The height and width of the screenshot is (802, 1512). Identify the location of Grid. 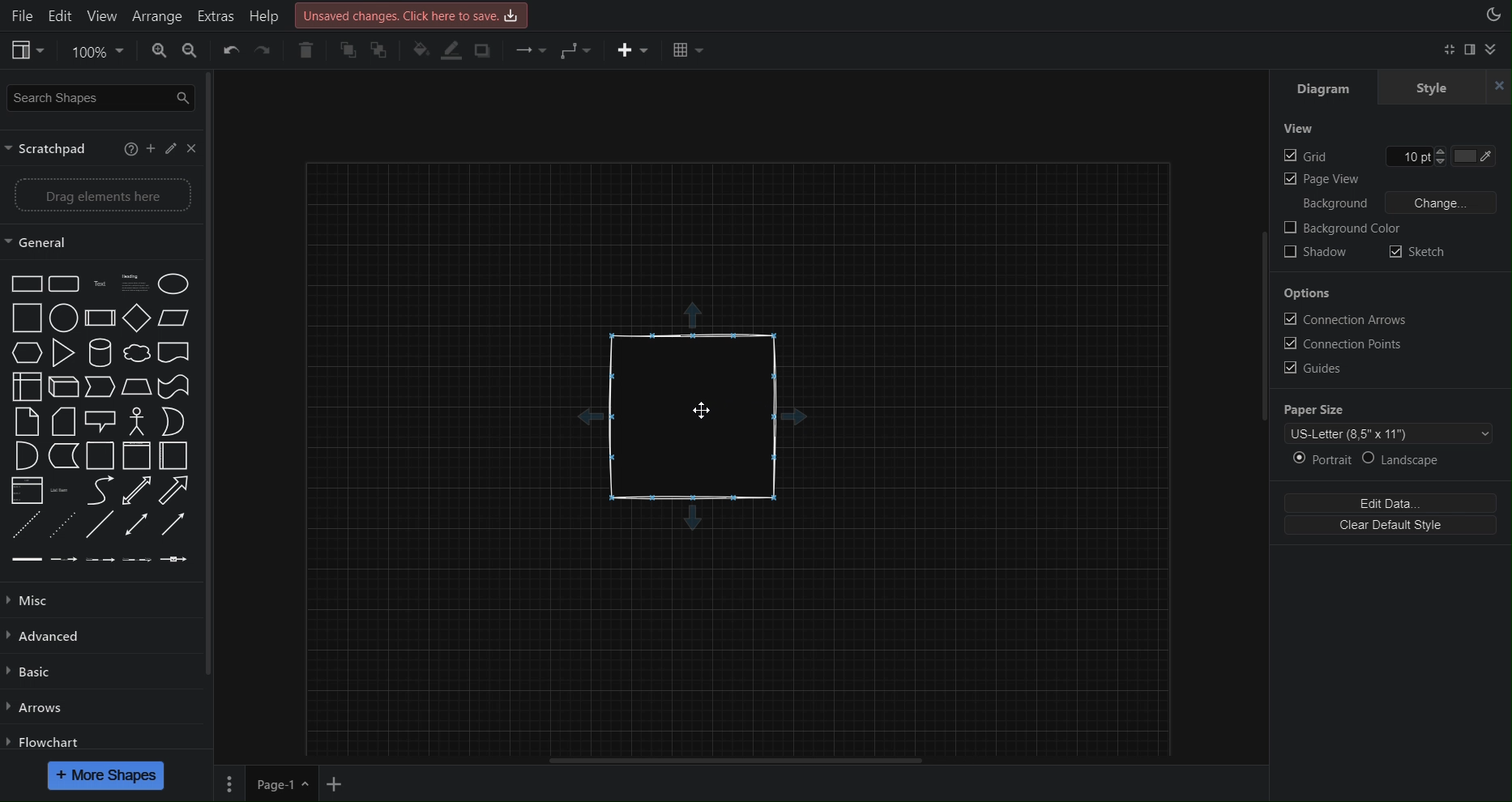
(1306, 156).